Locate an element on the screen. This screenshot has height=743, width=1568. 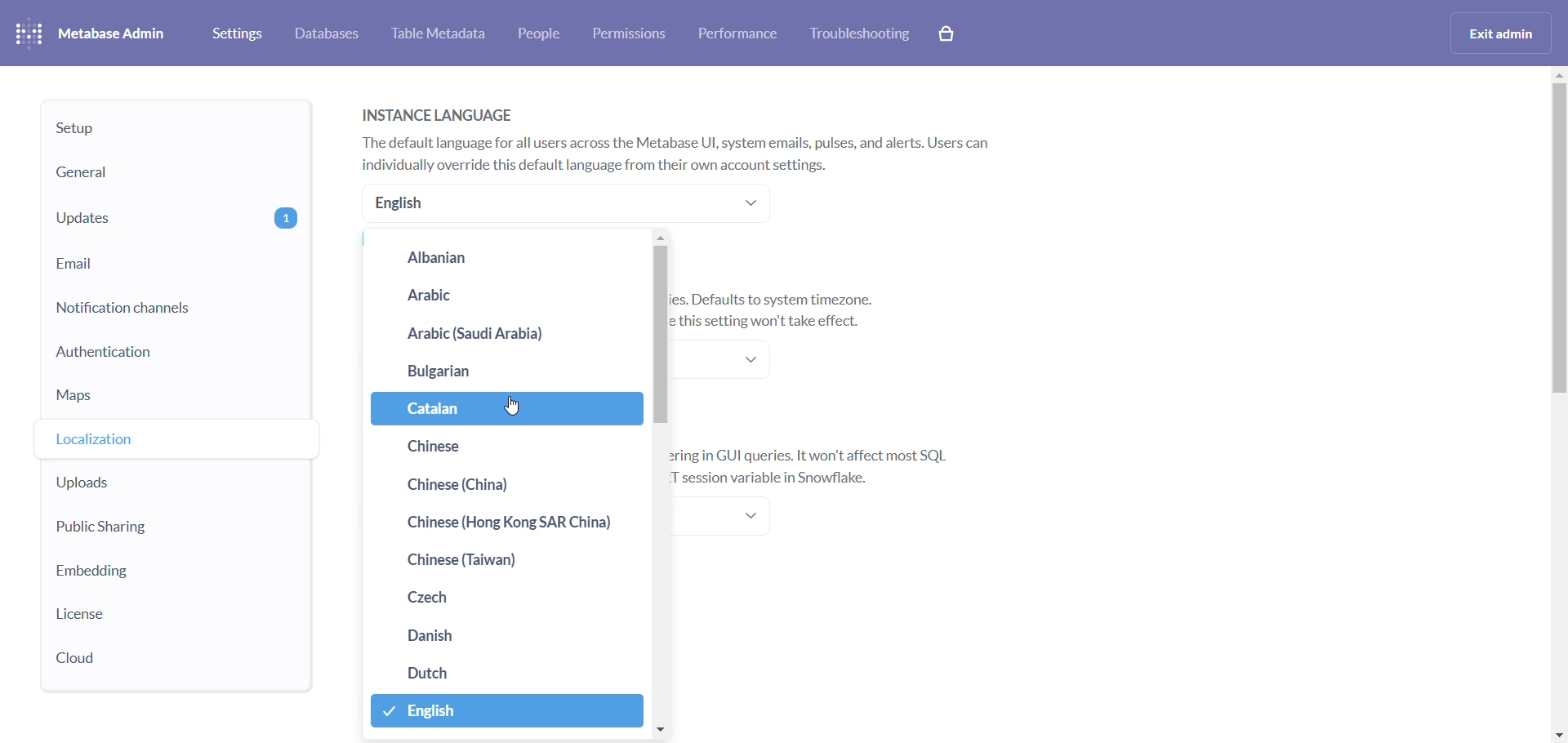
troubleshooting is located at coordinates (863, 33).